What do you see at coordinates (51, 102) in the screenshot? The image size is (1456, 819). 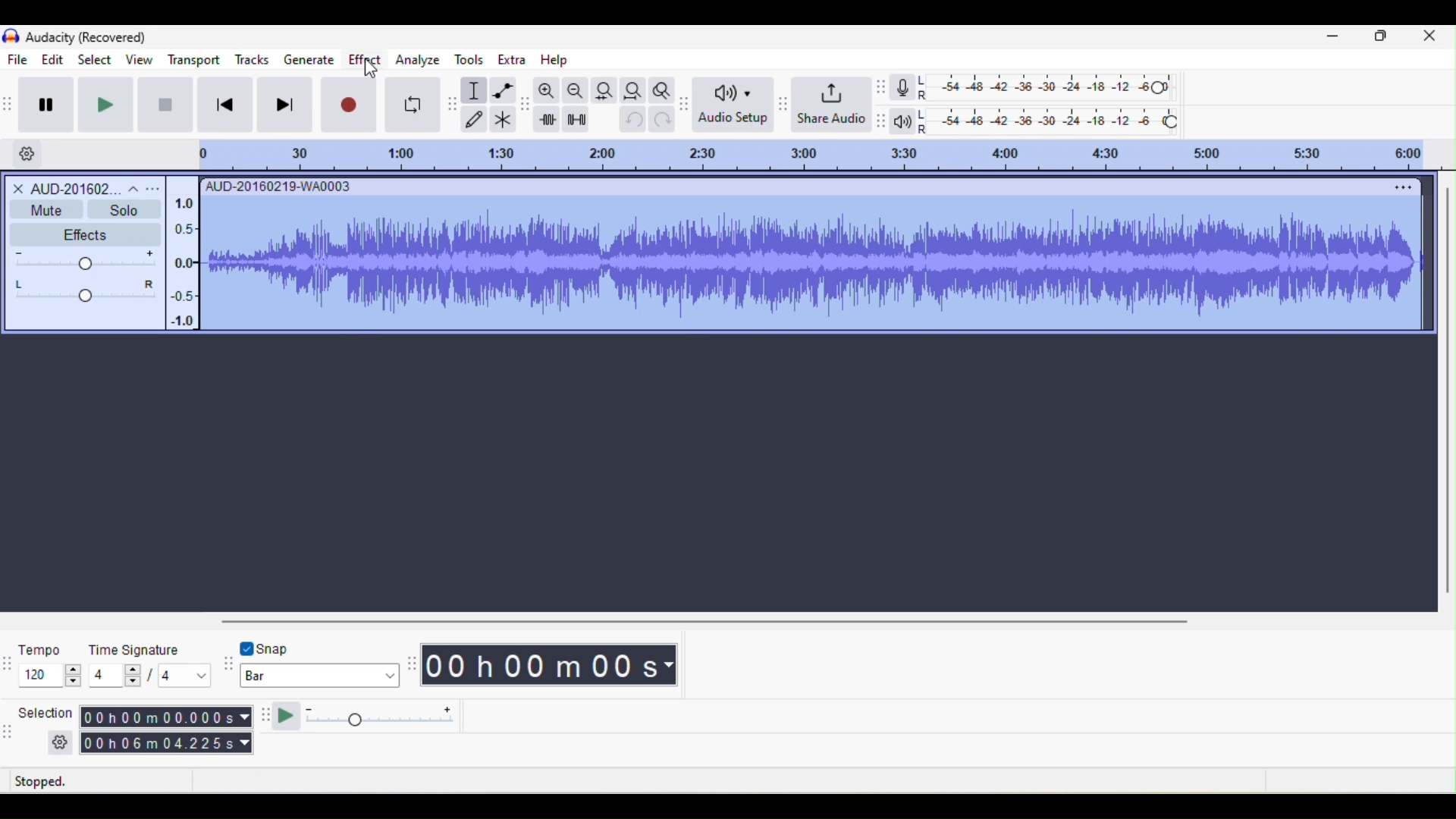 I see `pause` at bounding box center [51, 102].